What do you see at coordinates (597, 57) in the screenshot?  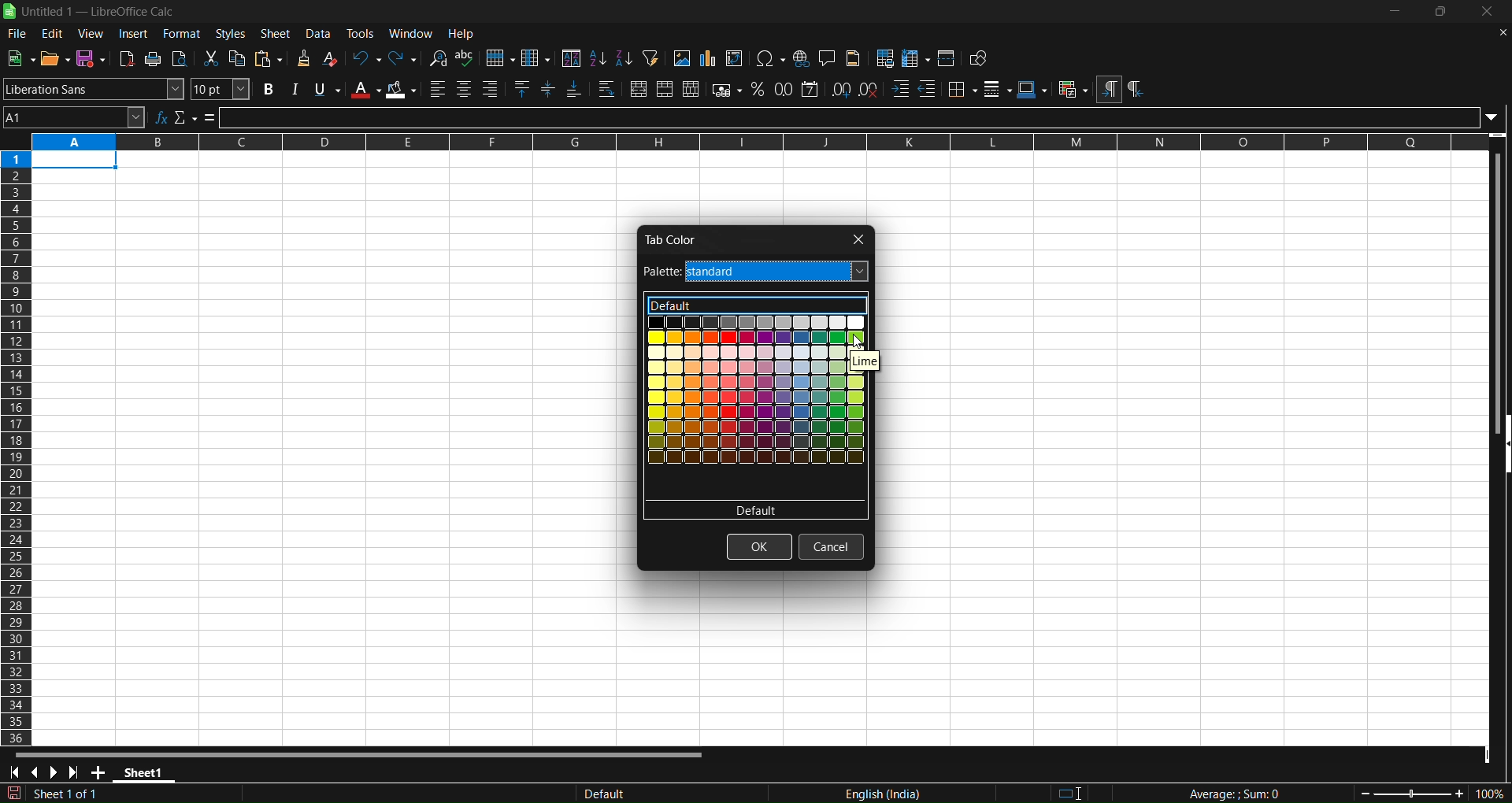 I see `sort ascending` at bounding box center [597, 57].